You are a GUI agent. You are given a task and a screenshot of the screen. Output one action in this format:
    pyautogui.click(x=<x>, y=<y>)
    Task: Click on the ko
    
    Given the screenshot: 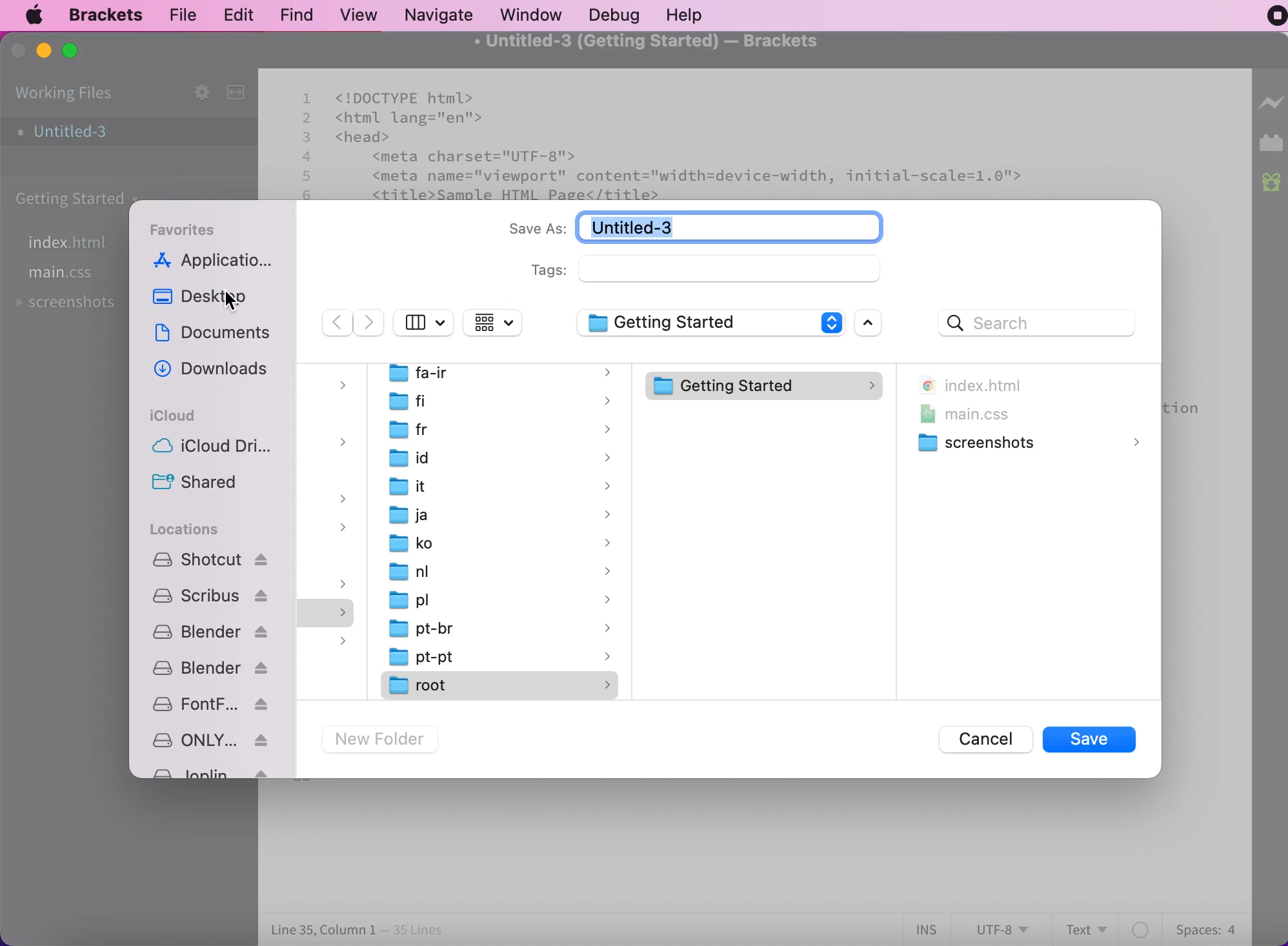 What is the action you would take?
    pyautogui.click(x=501, y=542)
    